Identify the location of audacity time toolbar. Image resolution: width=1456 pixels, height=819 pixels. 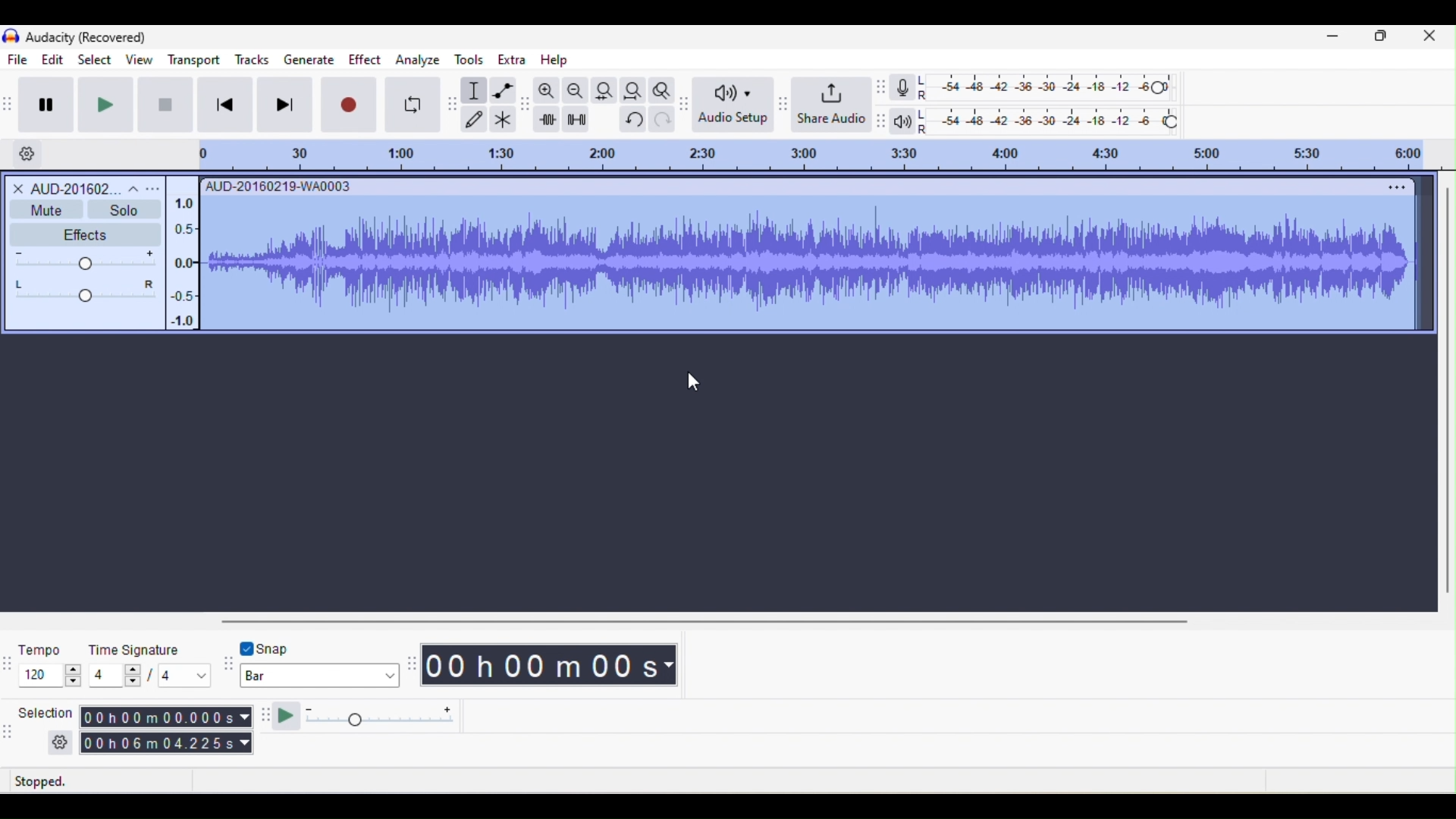
(411, 664).